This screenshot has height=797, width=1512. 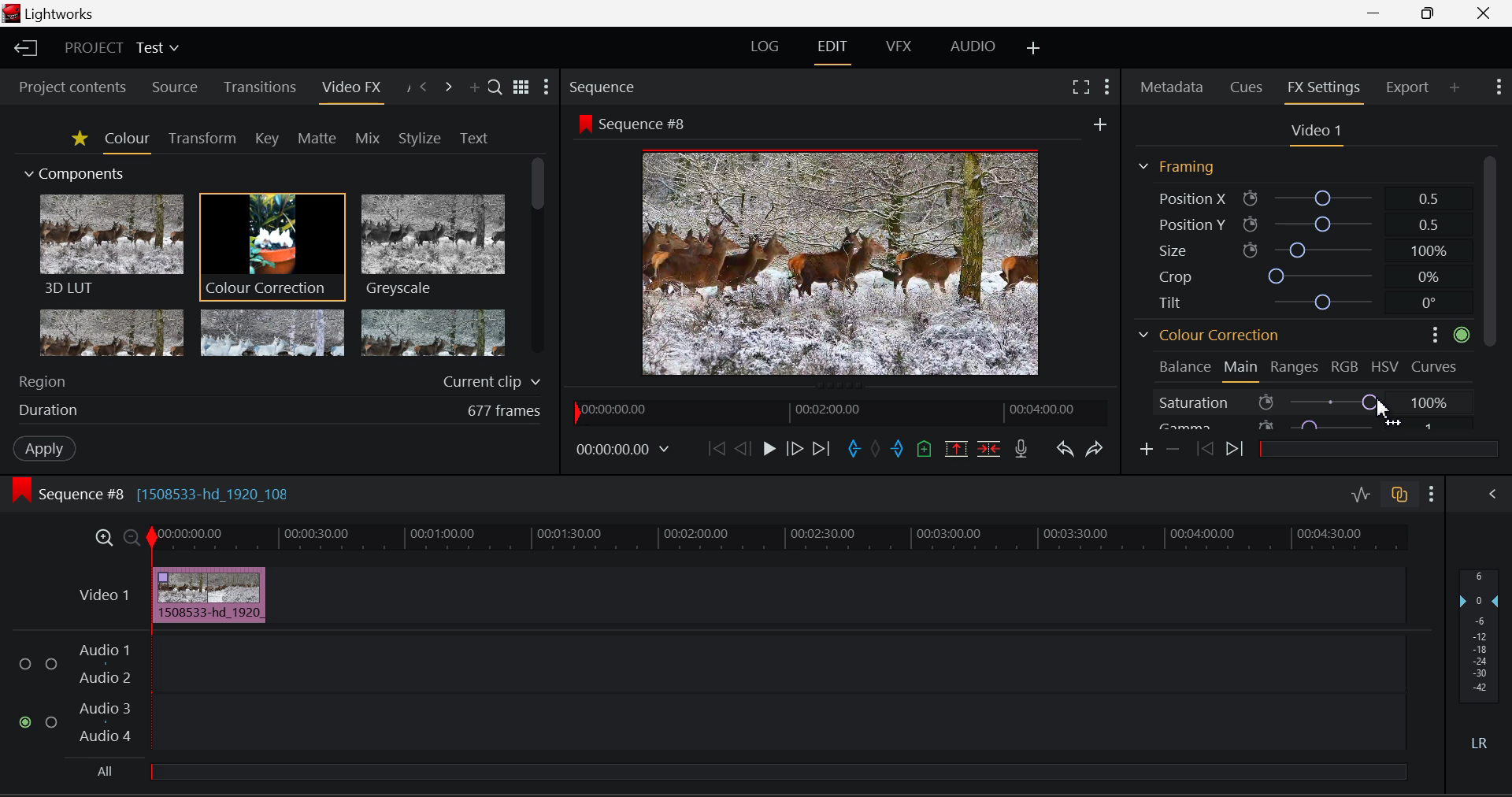 I want to click on Curves, so click(x=1436, y=365).